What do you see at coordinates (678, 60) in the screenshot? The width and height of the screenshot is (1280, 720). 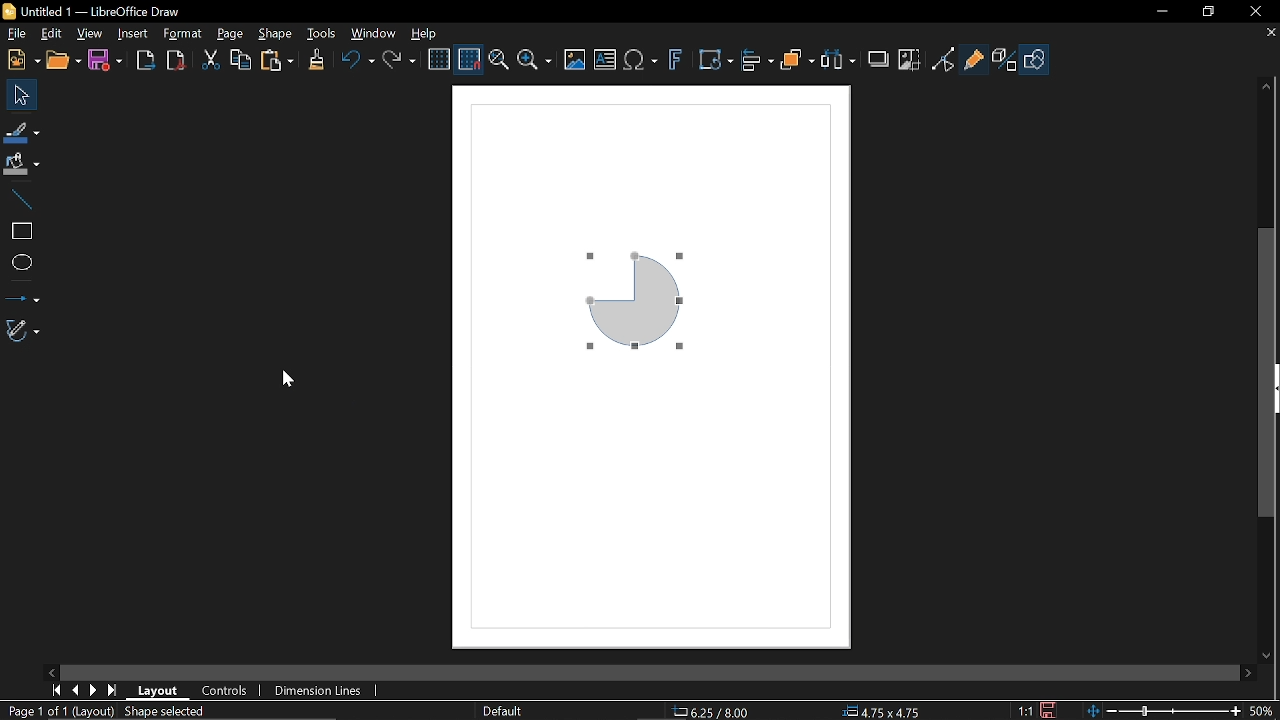 I see `Insert fontwork` at bounding box center [678, 60].